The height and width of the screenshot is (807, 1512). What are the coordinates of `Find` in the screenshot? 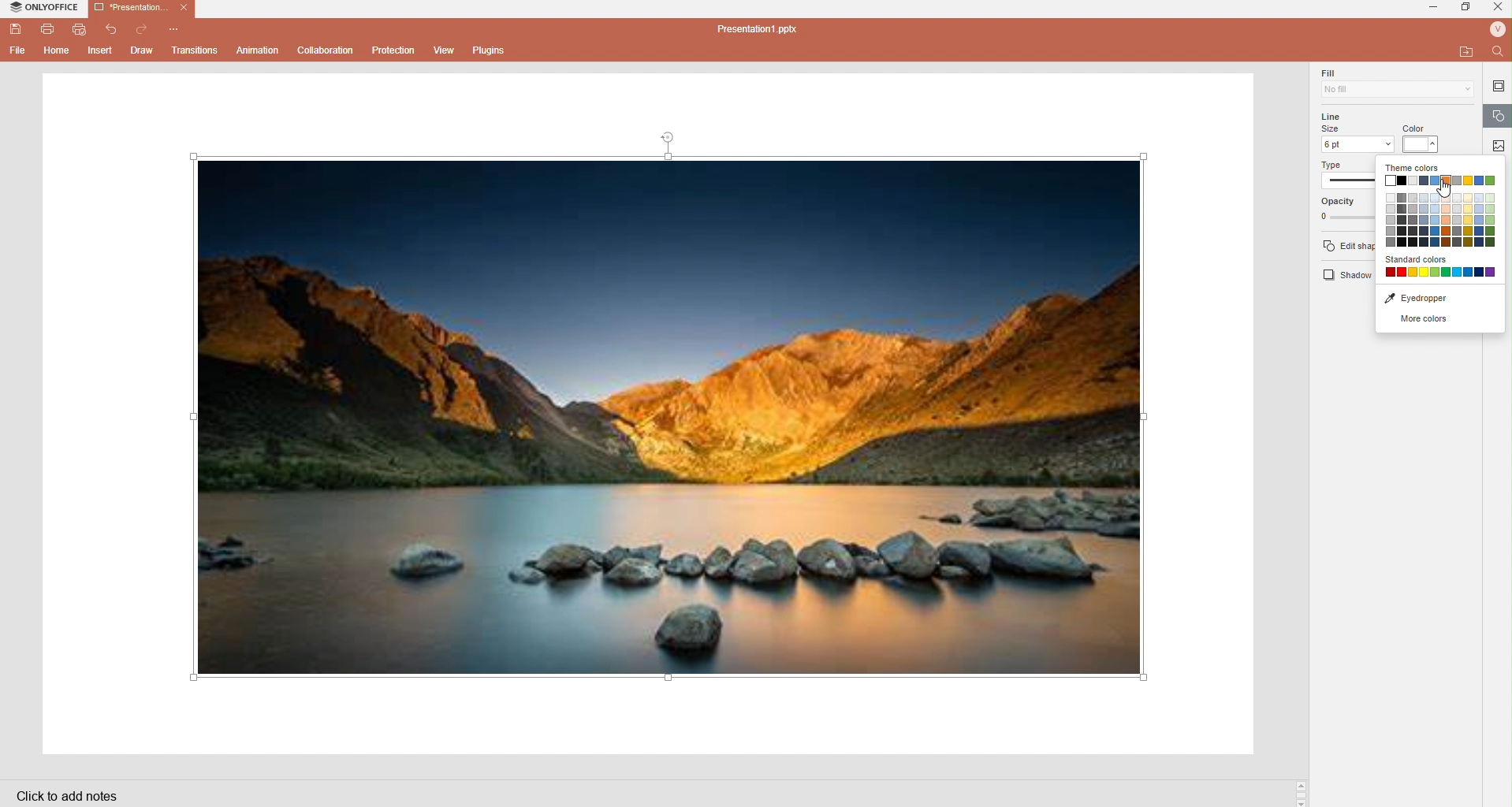 It's located at (1497, 50).